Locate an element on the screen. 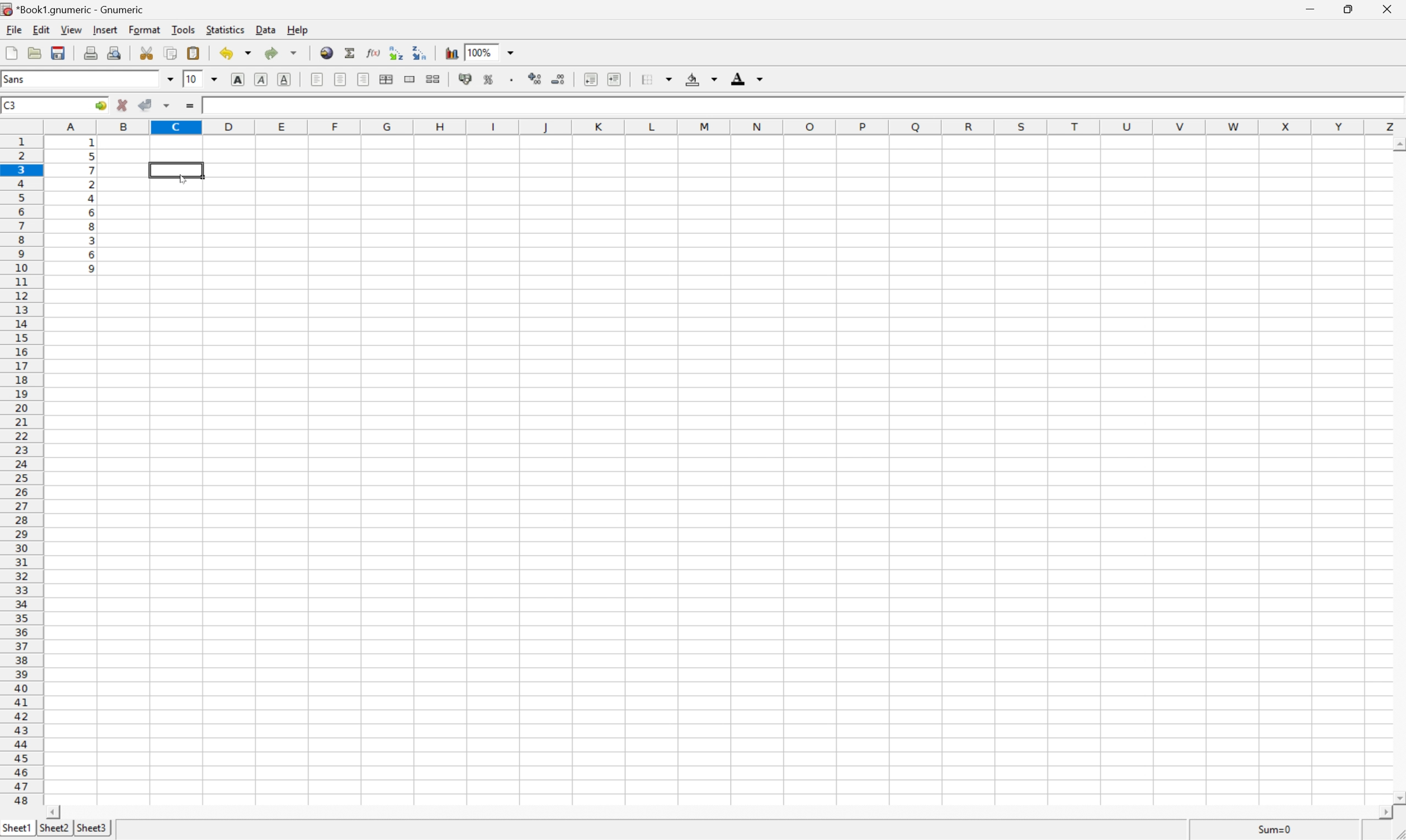  paste is located at coordinates (194, 52).